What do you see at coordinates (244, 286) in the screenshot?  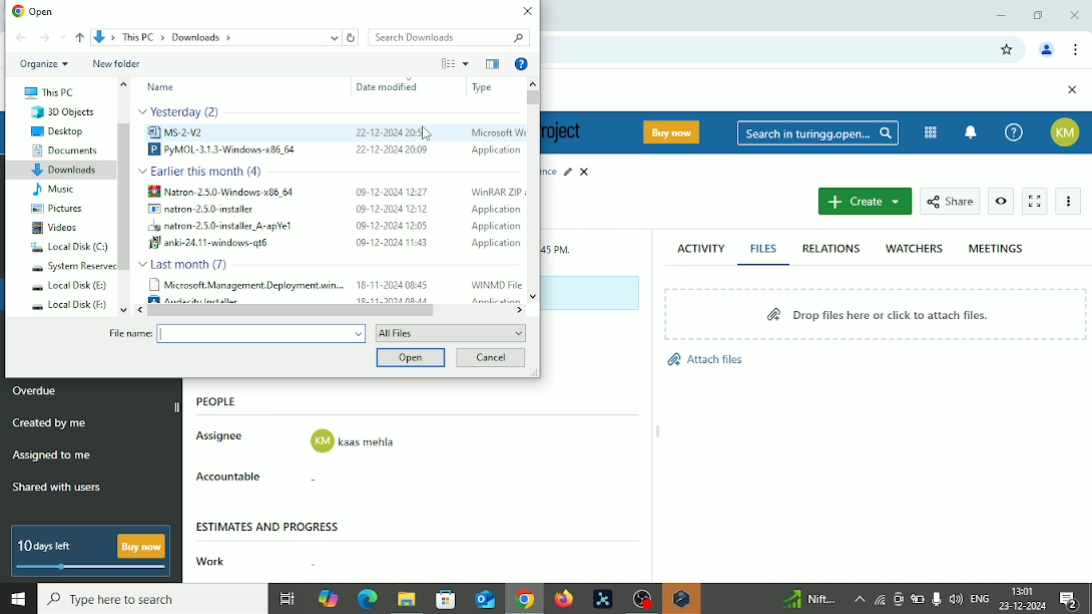 I see `Microsoft. Management Deployment wan` at bounding box center [244, 286].